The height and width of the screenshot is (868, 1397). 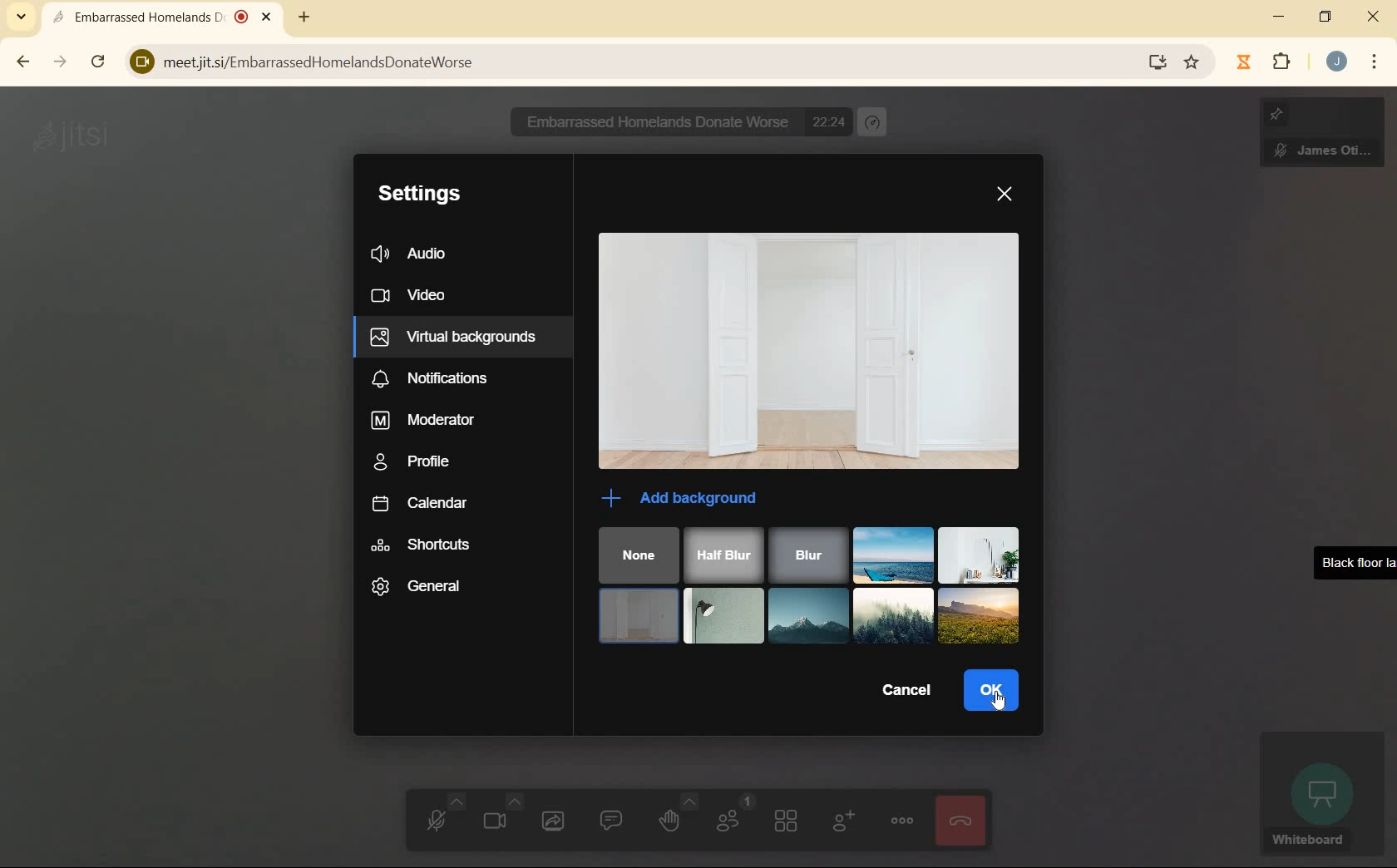 What do you see at coordinates (620, 58) in the screenshot?
I see ` meetjit.si/EmbarrassedHomelandsDonateWorse` at bounding box center [620, 58].